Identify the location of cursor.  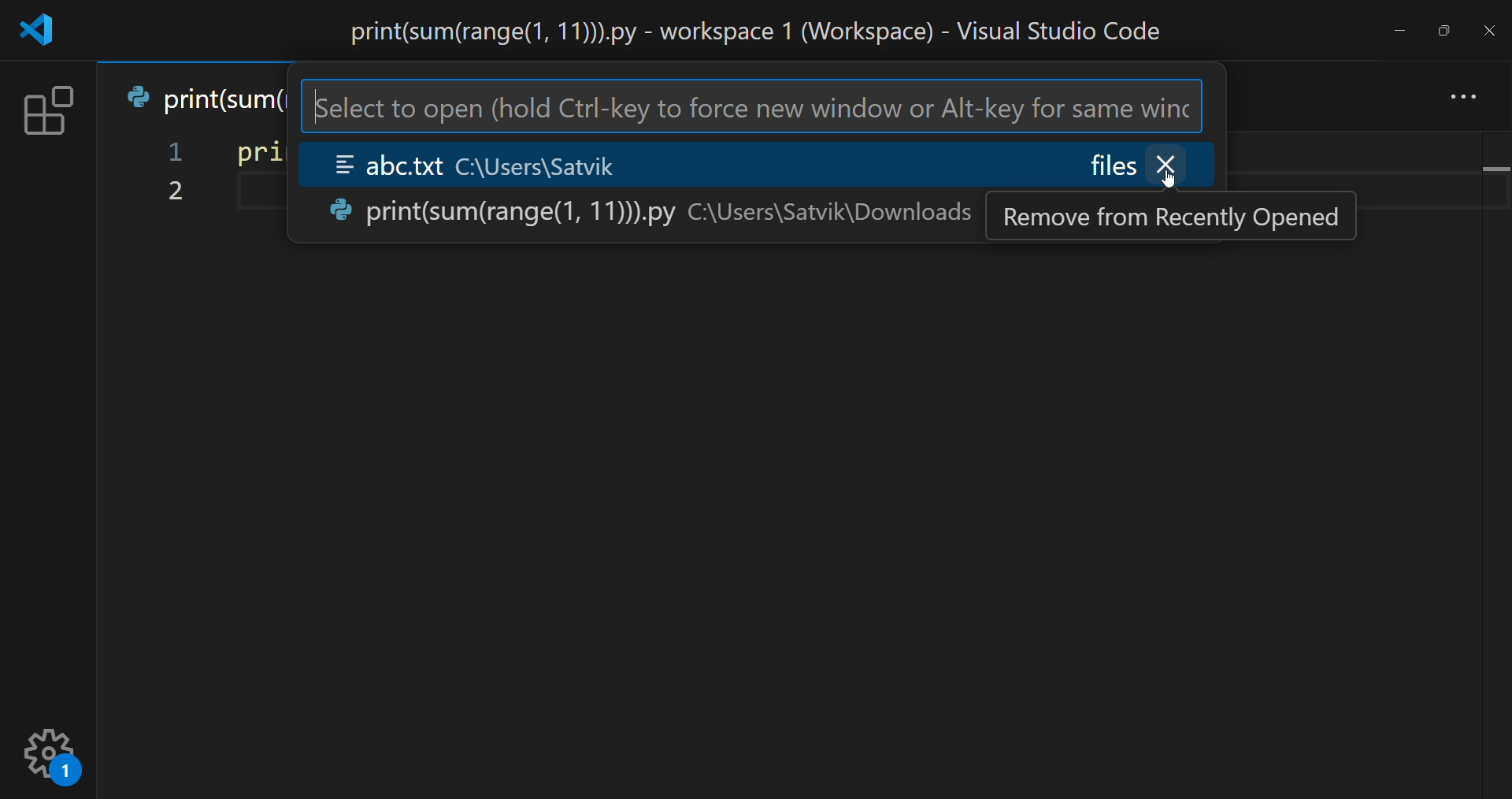
(1172, 183).